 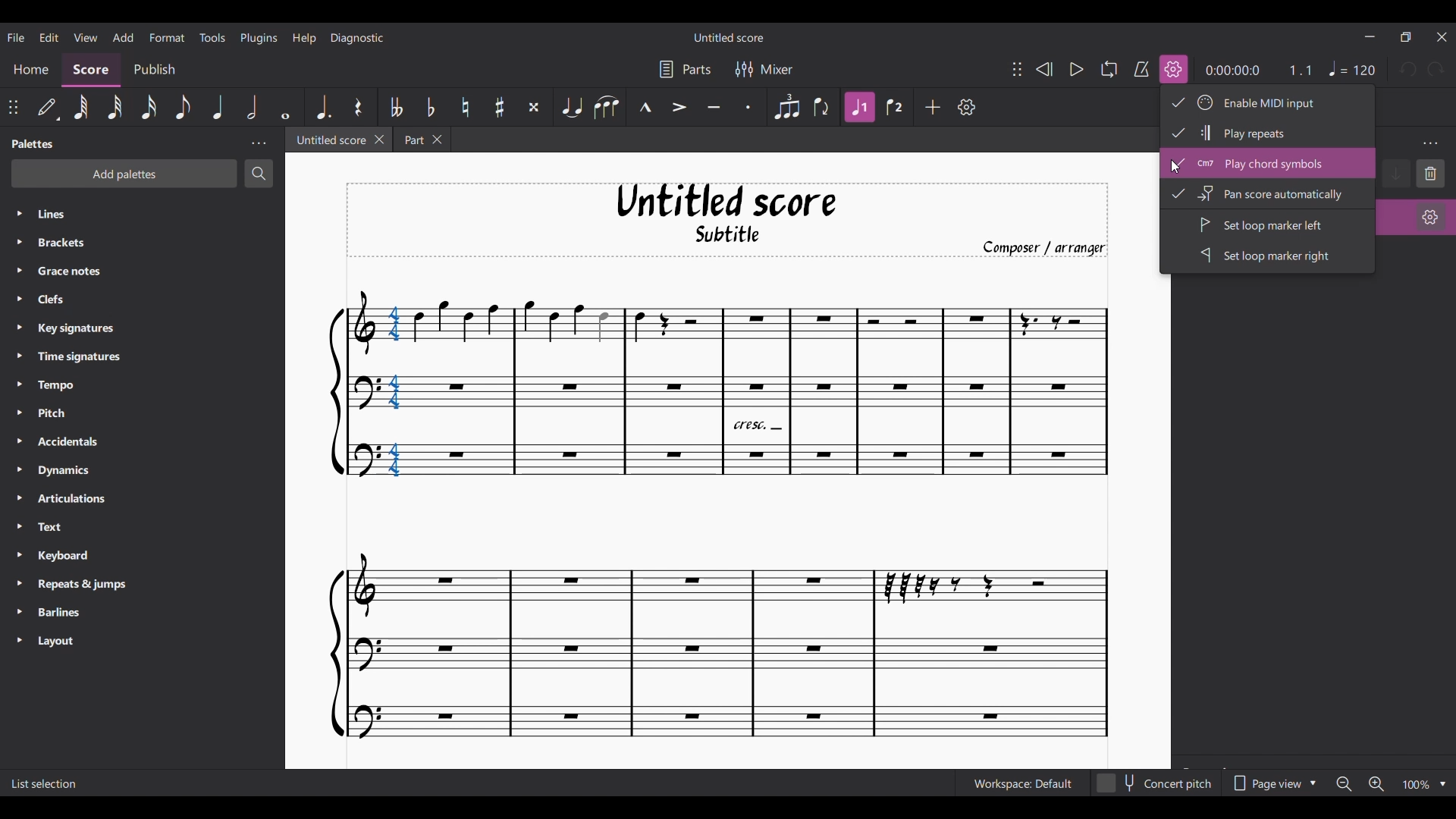 What do you see at coordinates (49, 36) in the screenshot?
I see `Edit menu` at bounding box center [49, 36].